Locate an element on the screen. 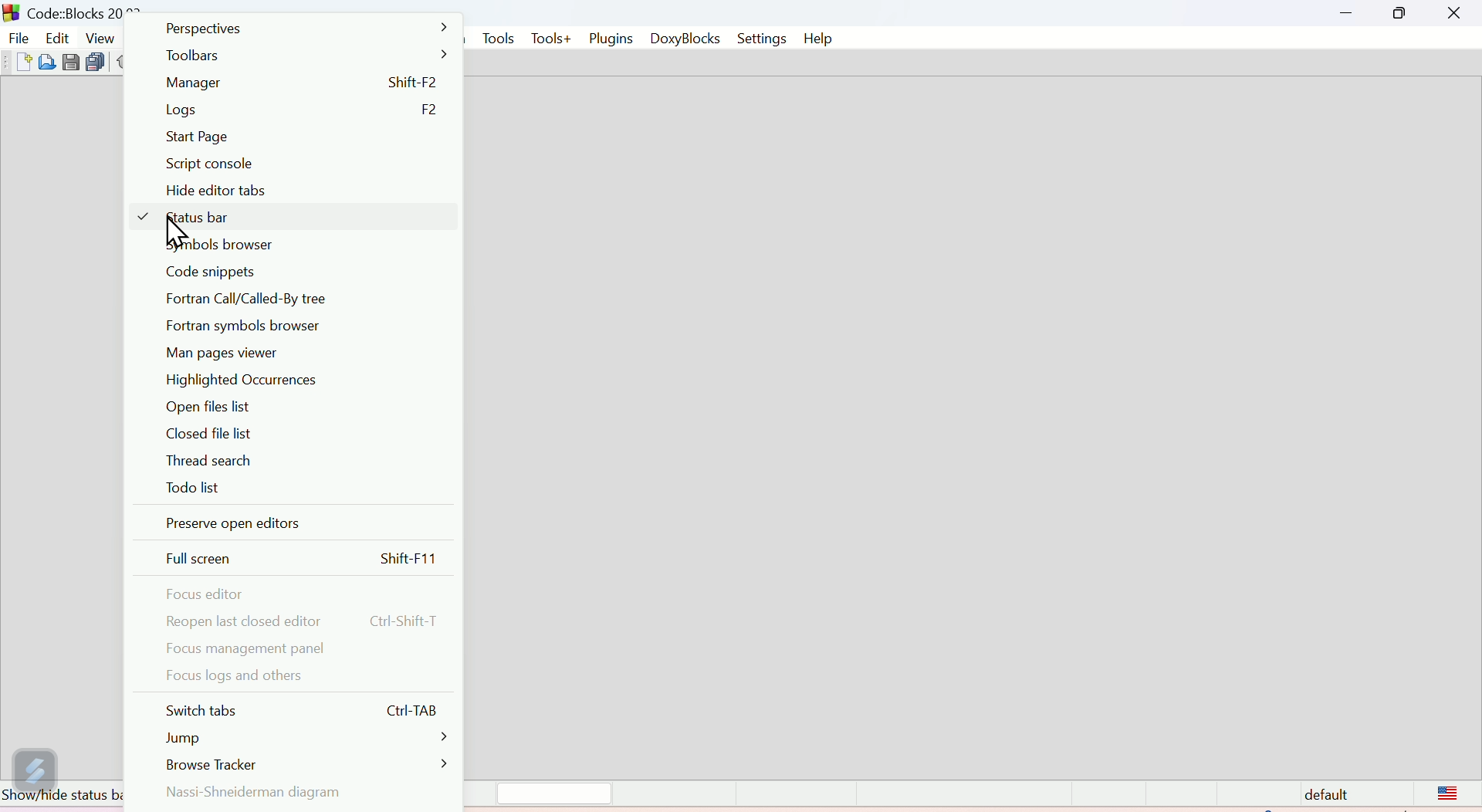  help is located at coordinates (819, 39).